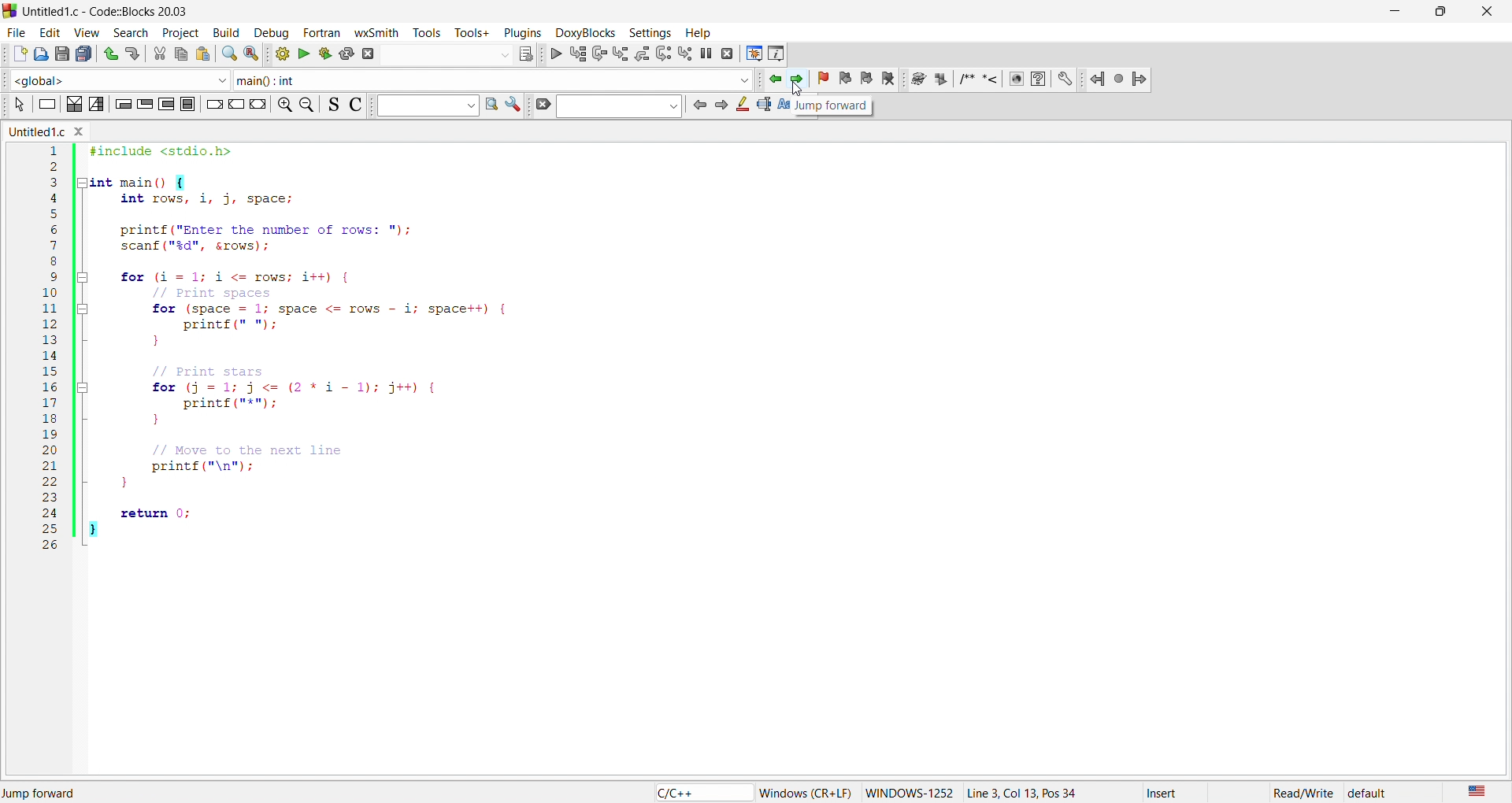  I want to click on us english, so click(1468, 790).